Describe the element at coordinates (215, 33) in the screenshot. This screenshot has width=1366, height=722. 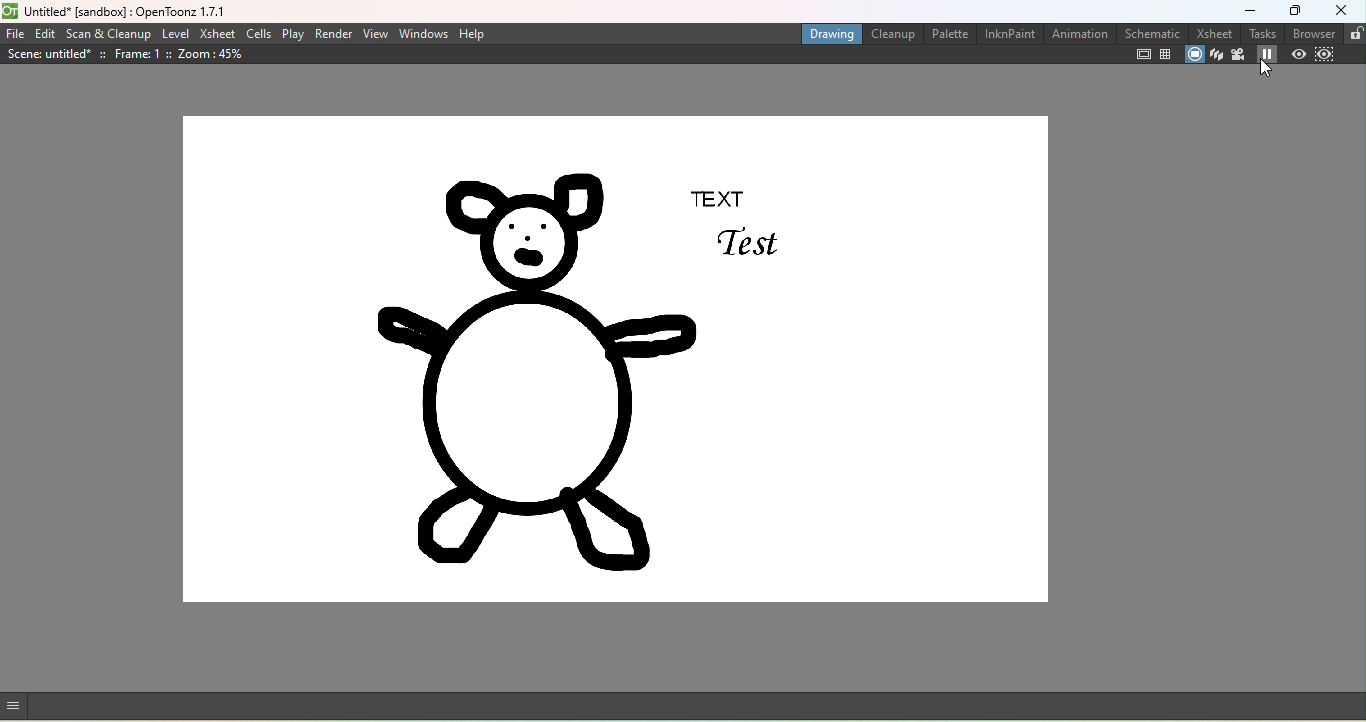
I see `Xsheet` at that location.